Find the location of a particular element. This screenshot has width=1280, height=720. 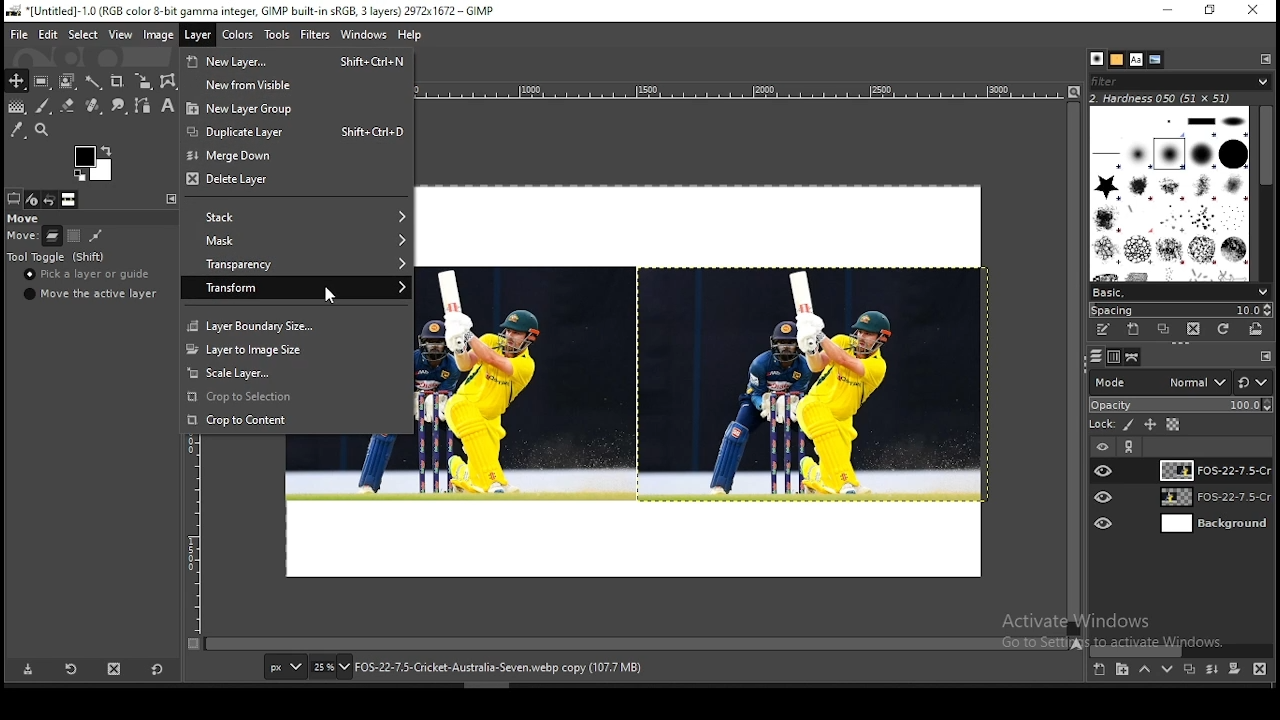

new layer group is located at coordinates (1122, 671).